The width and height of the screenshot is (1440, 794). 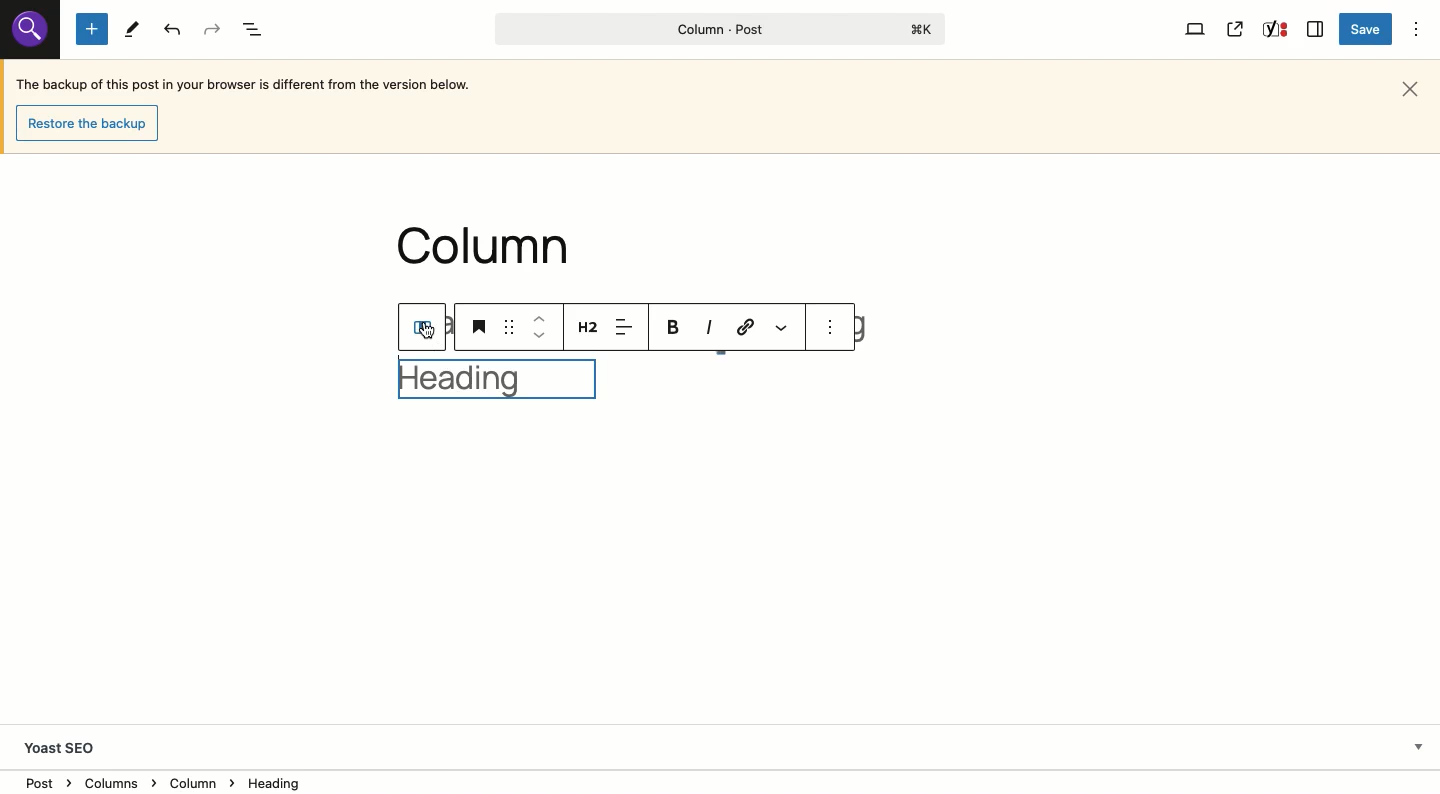 What do you see at coordinates (545, 330) in the screenshot?
I see `move up down` at bounding box center [545, 330].